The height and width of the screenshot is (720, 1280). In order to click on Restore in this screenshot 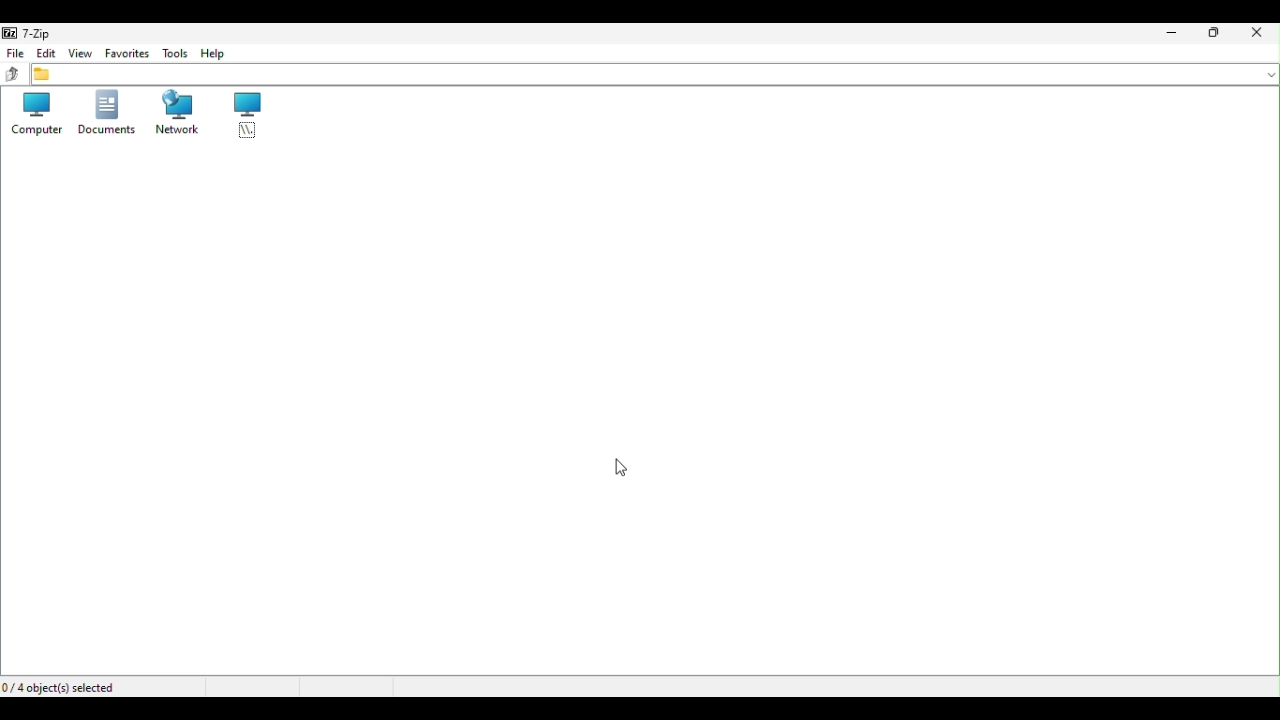, I will do `click(1217, 34)`.